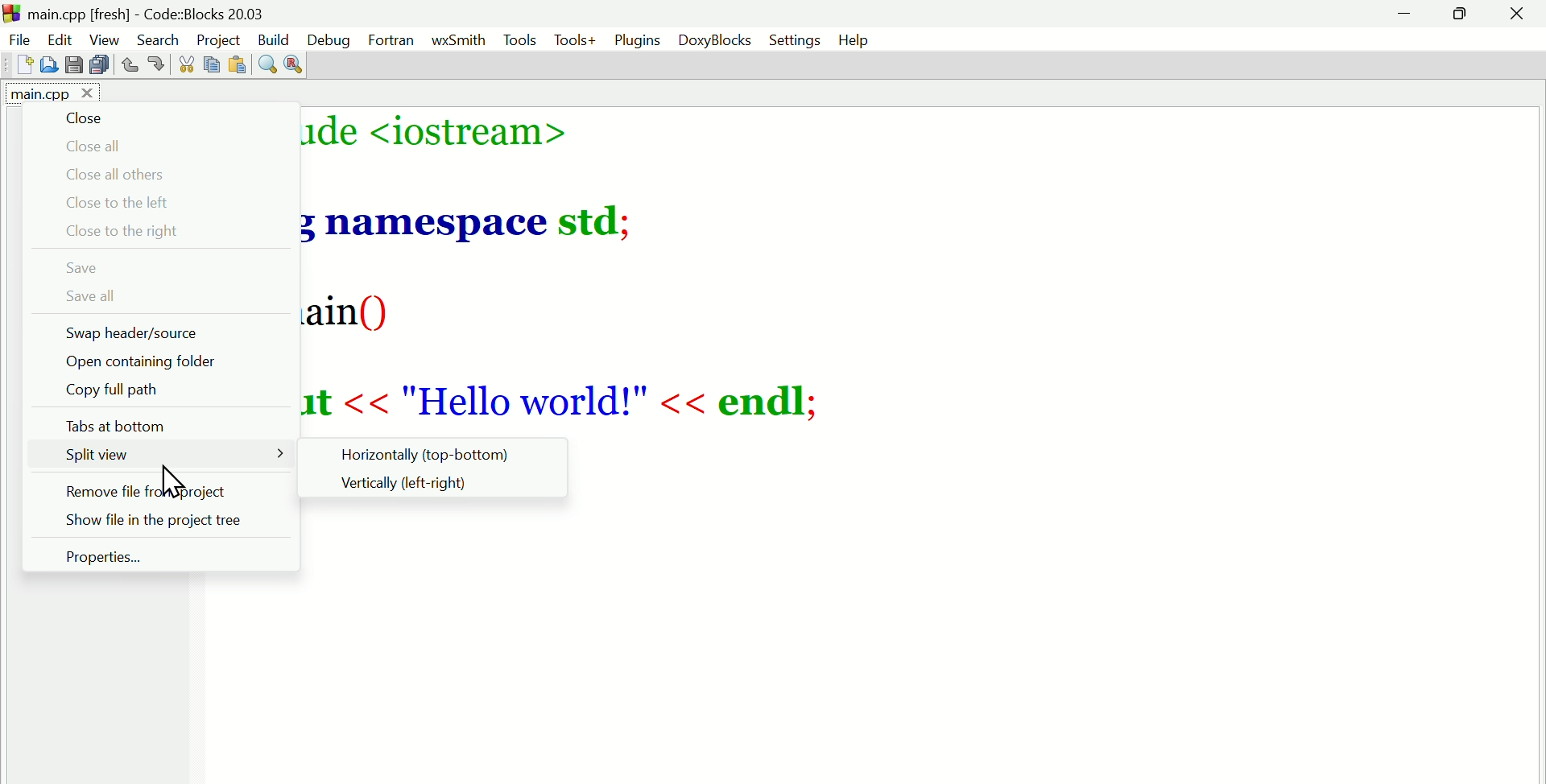  What do you see at coordinates (213, 63) in the screenshot?
I see `Paste` at bounding box center [213, 63].